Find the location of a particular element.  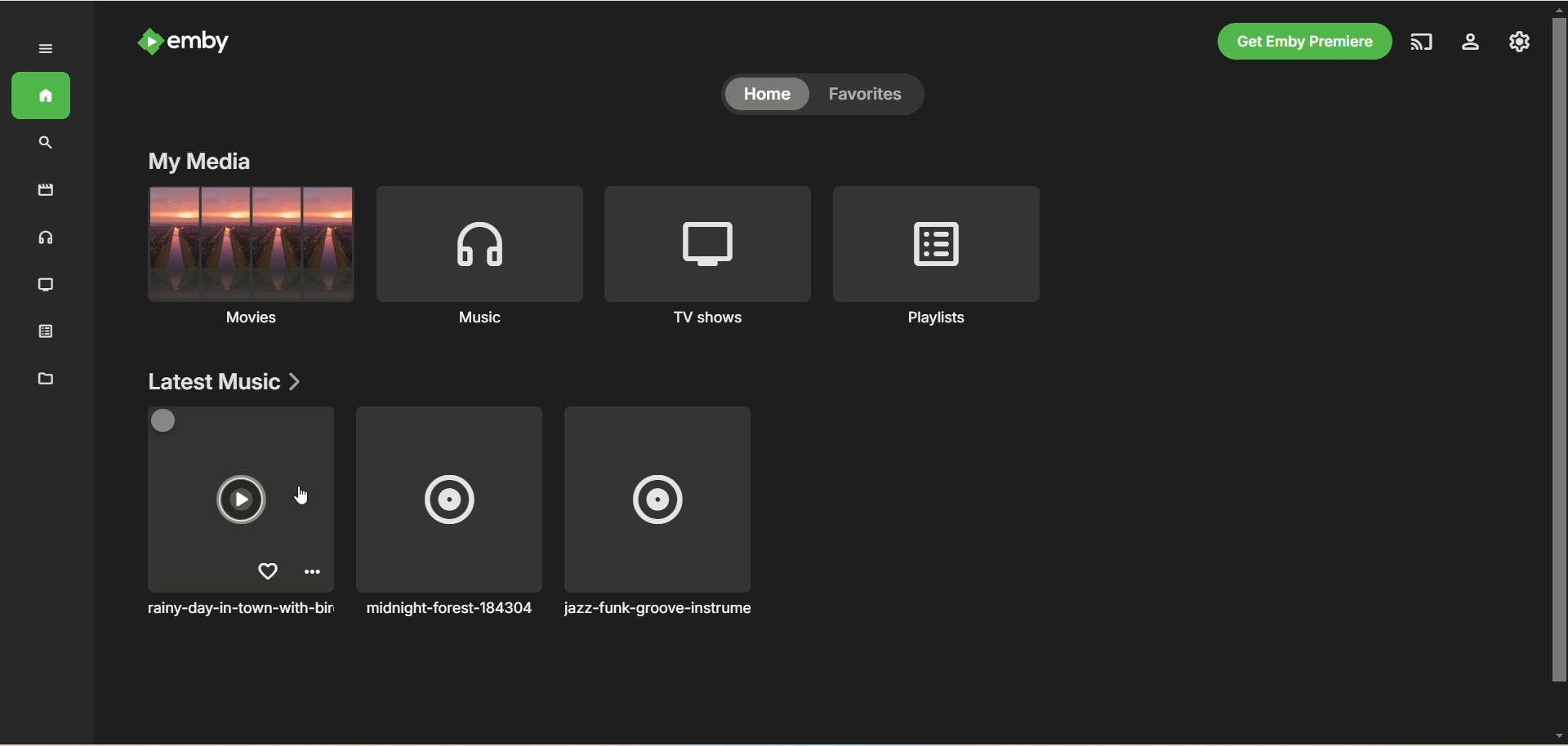

play on another device is located at coordinates (1424, 41).